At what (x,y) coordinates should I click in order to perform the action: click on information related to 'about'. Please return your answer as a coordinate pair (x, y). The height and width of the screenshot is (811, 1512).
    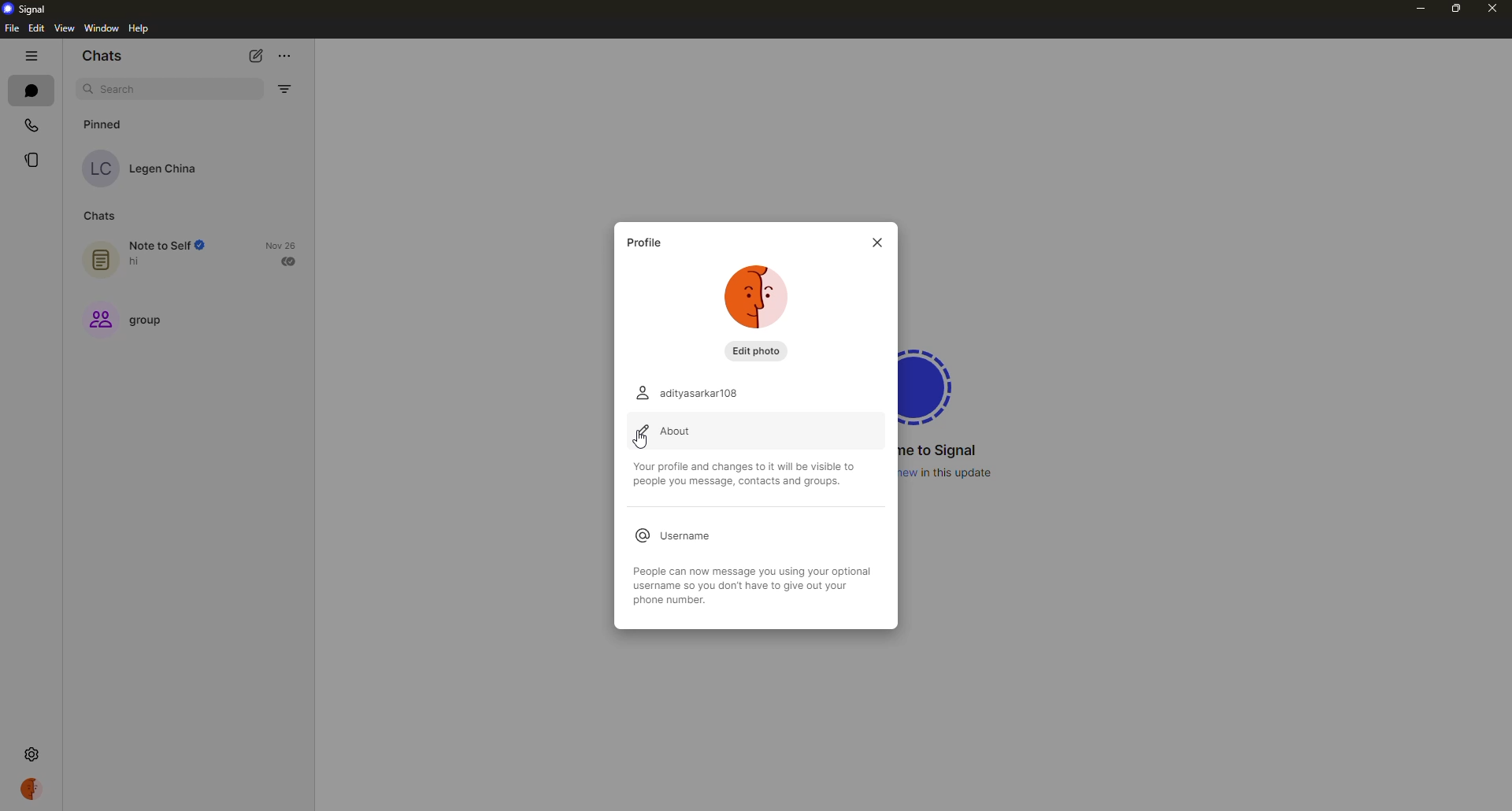
    Looking at the image, I should click on (749, 472).